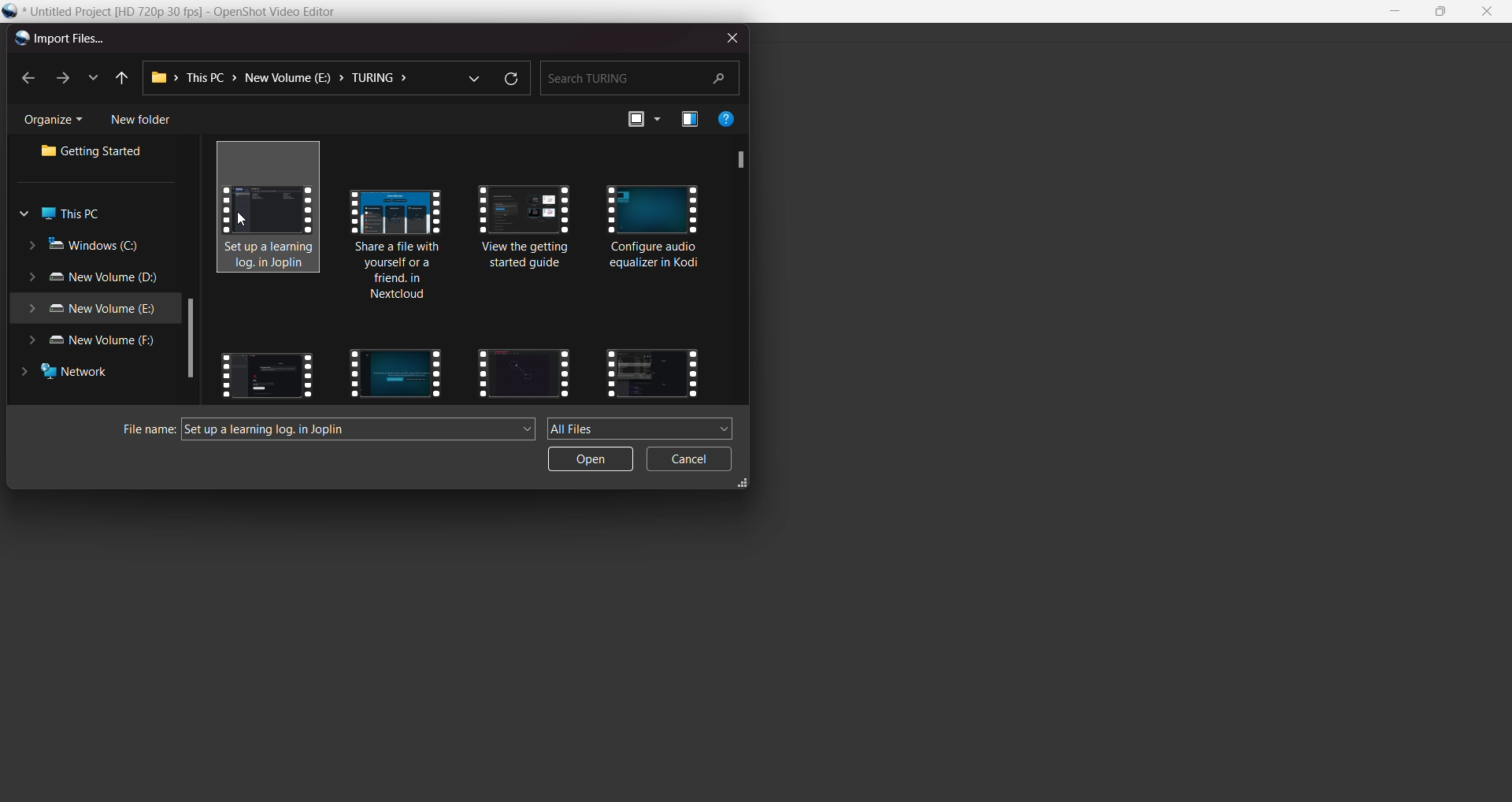 The width and height of the screenshot is (1512, 802). Describe the element at coordinates (142, 430) in the screenshot. I see `file name` at that location.